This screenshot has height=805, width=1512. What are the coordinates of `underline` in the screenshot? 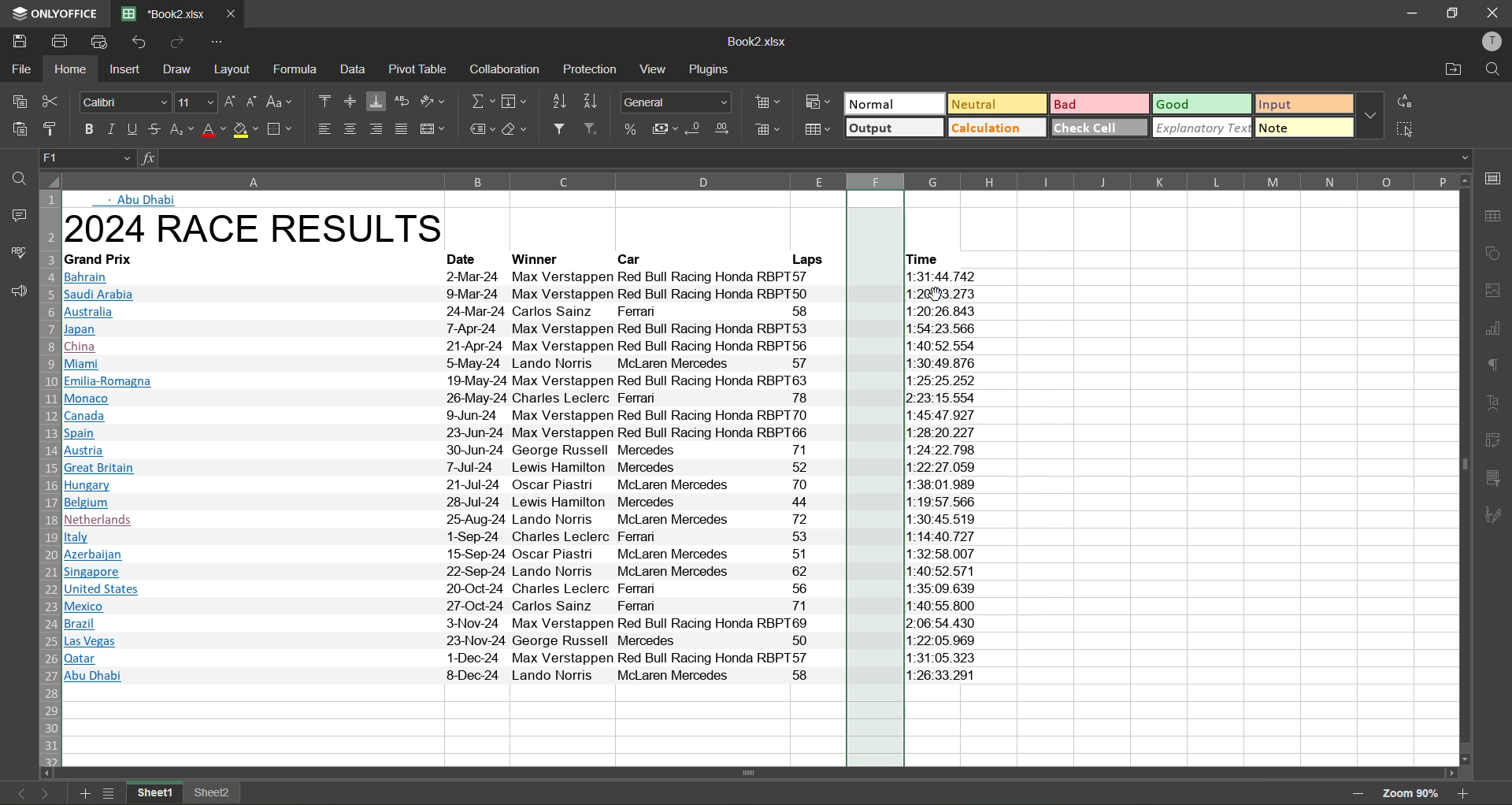 It's located at (135, 128).